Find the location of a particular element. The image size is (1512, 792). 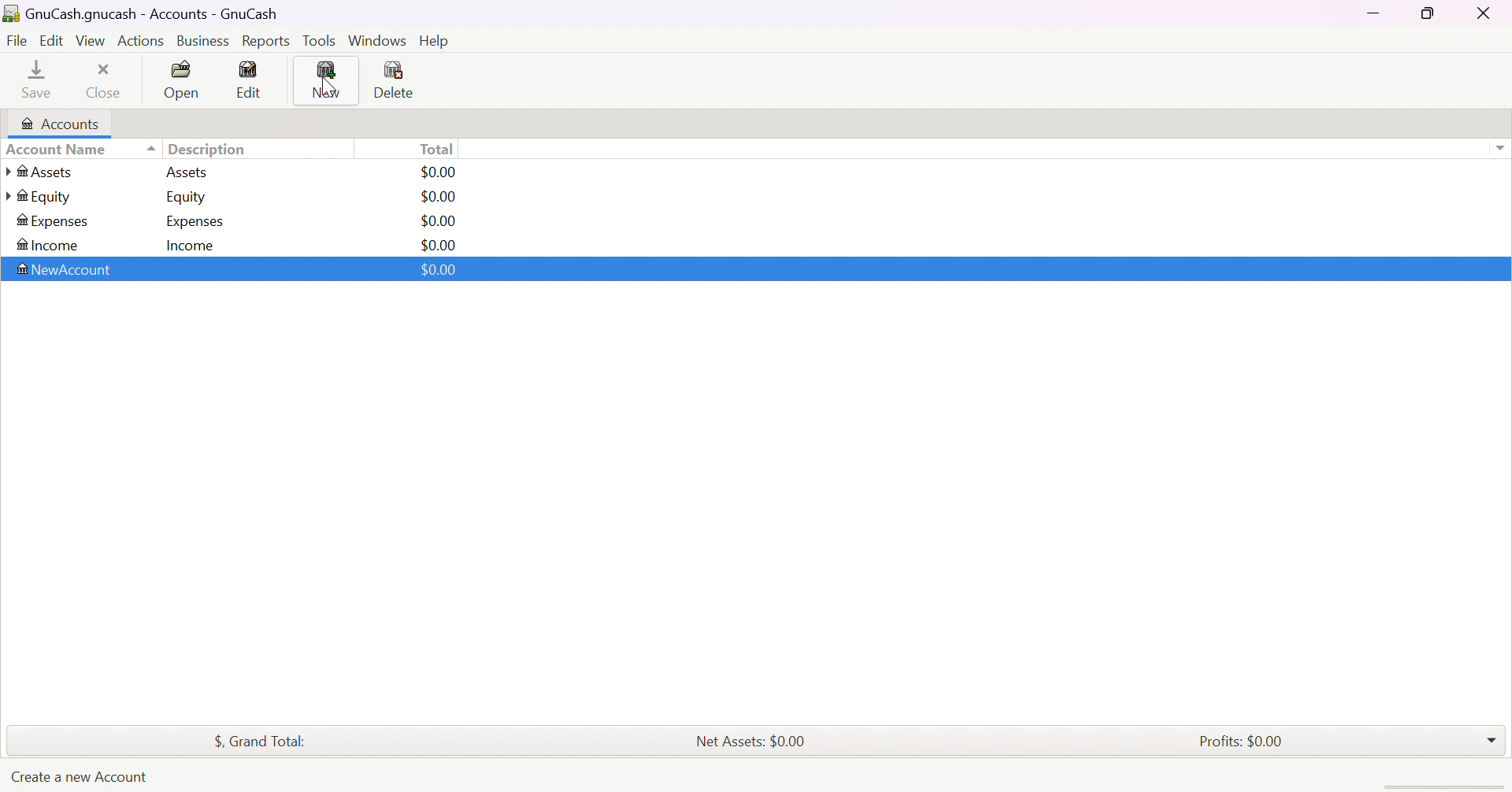

Actions is located at coordinates (140, 41).